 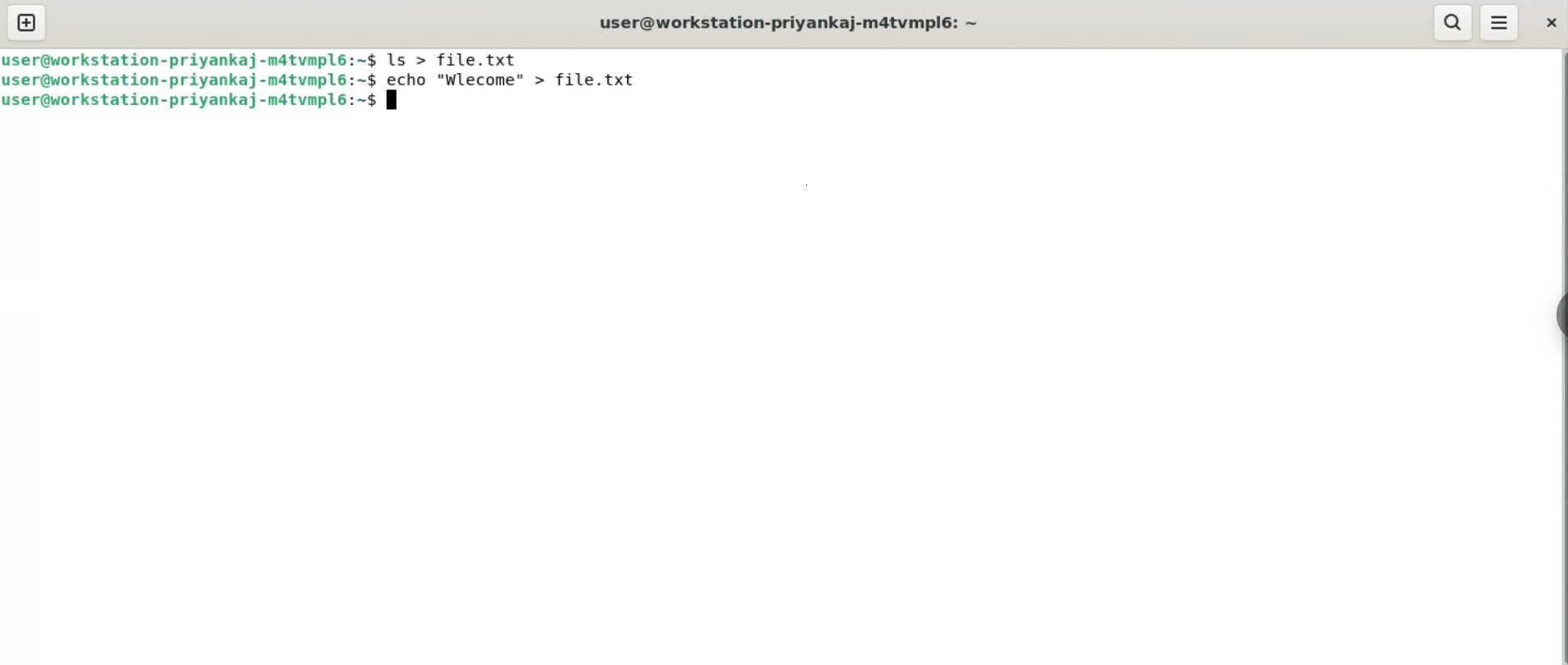 What do you see at coordinates (465, 58) in the screenshot?
I see `ls > file.txt` at bounding box center [465, 58].